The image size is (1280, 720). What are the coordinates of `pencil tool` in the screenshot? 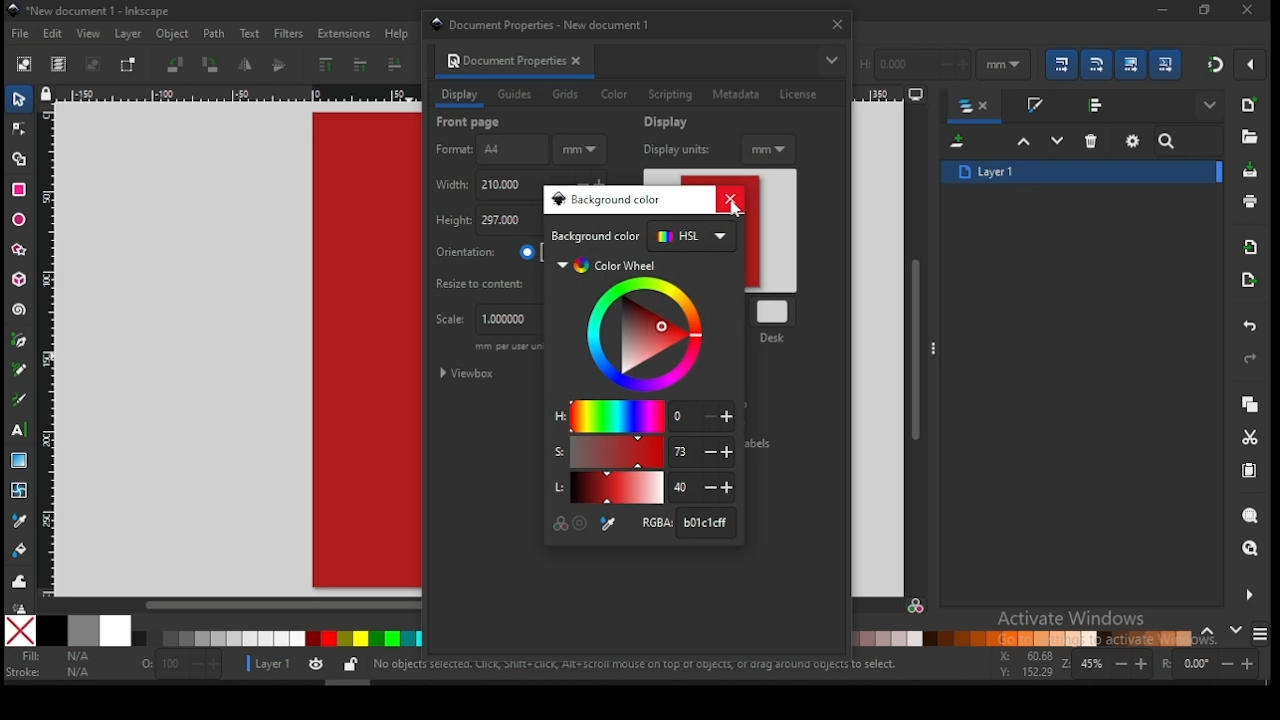 It's located at (21, 371).